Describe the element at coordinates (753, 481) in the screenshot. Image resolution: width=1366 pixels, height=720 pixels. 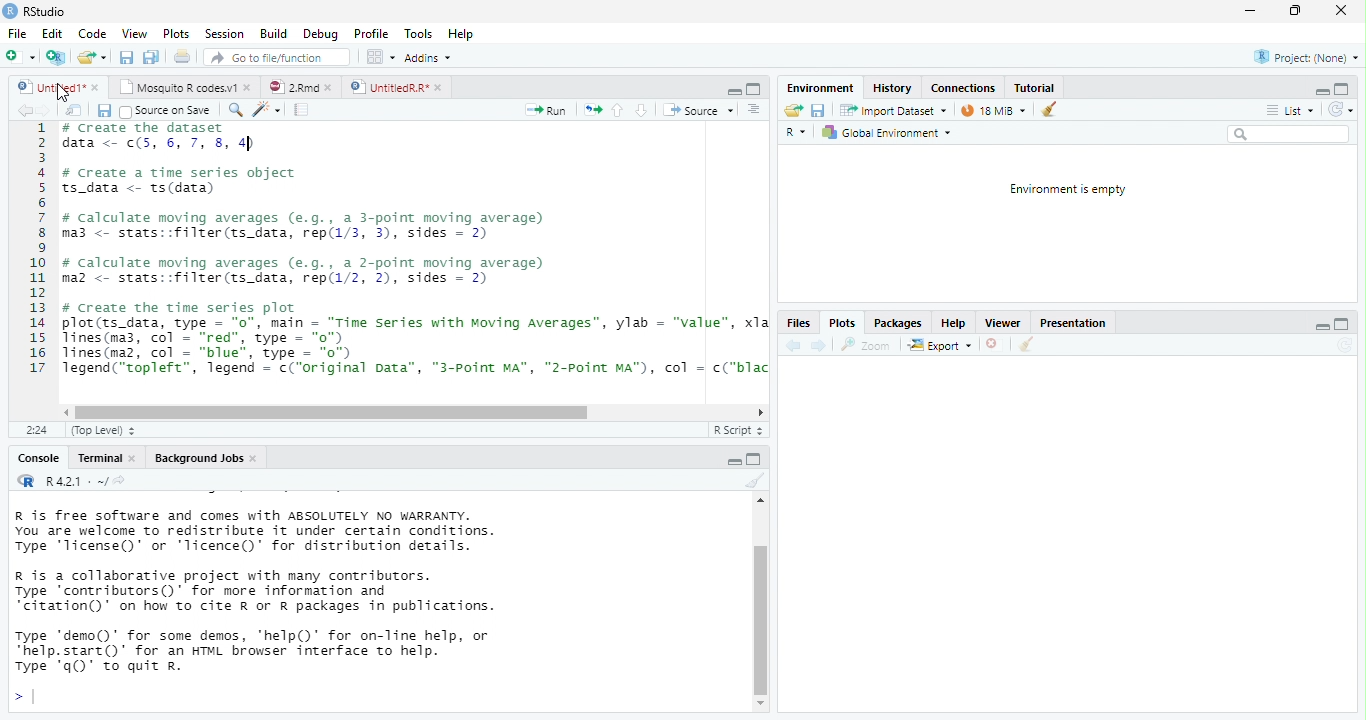
I see `clear` at that location.